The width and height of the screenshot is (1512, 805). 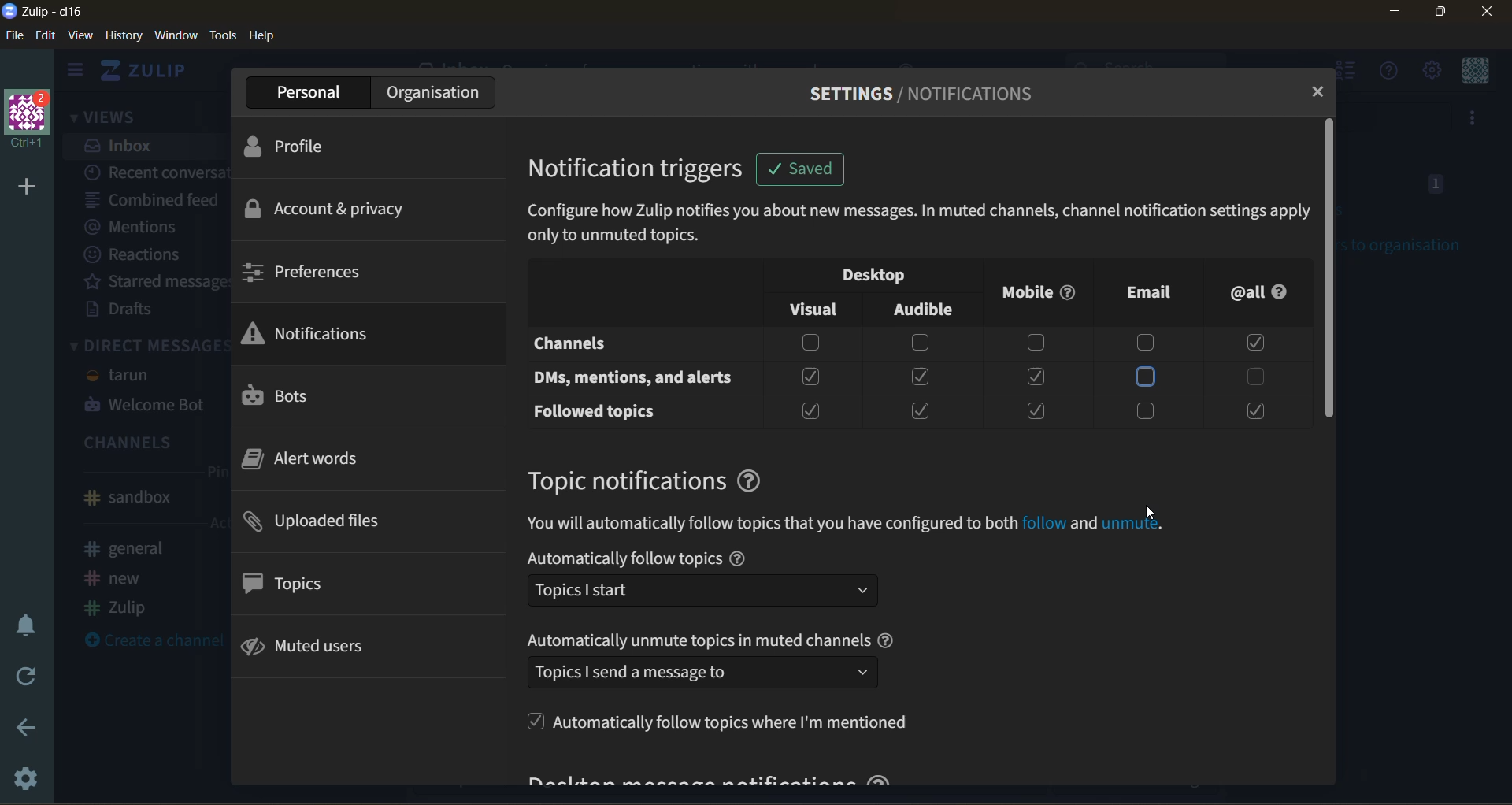 What do you see at coordinates (324, 272) in the screenshot?
I see `preferences` at bounding box center [324, 272].